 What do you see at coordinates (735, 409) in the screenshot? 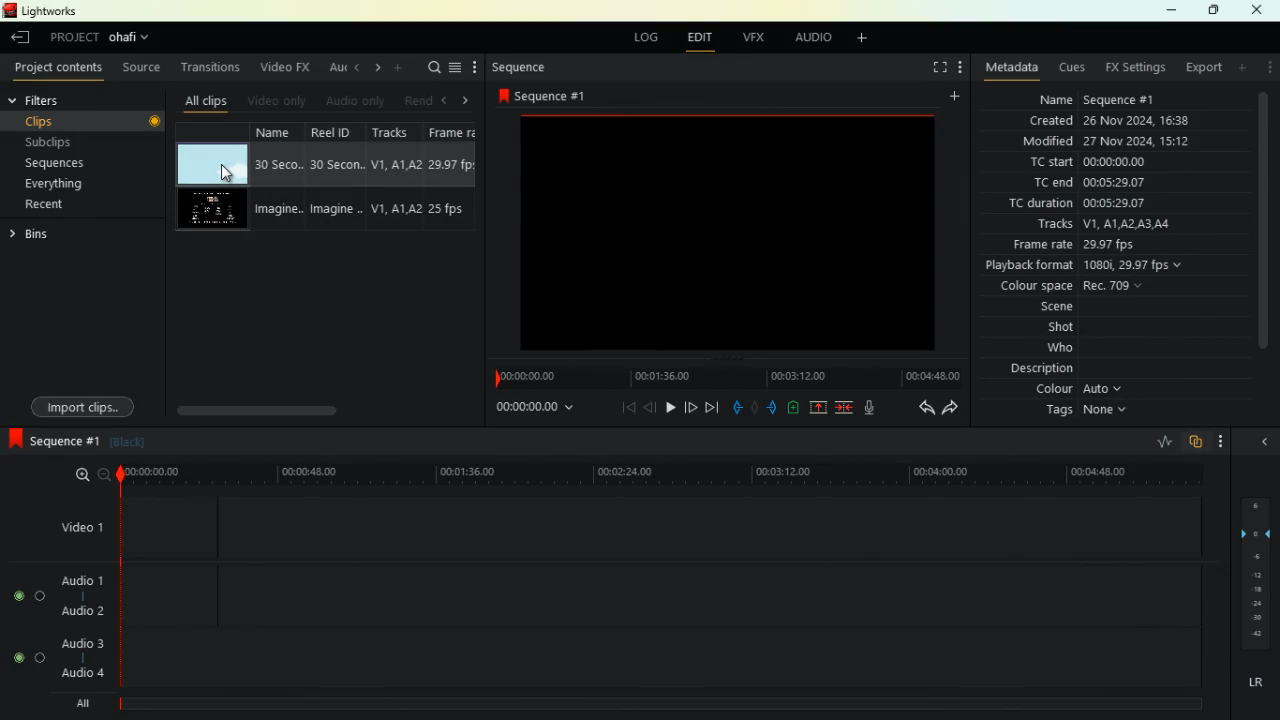
I see `pull` at bounding box center [735, 409].